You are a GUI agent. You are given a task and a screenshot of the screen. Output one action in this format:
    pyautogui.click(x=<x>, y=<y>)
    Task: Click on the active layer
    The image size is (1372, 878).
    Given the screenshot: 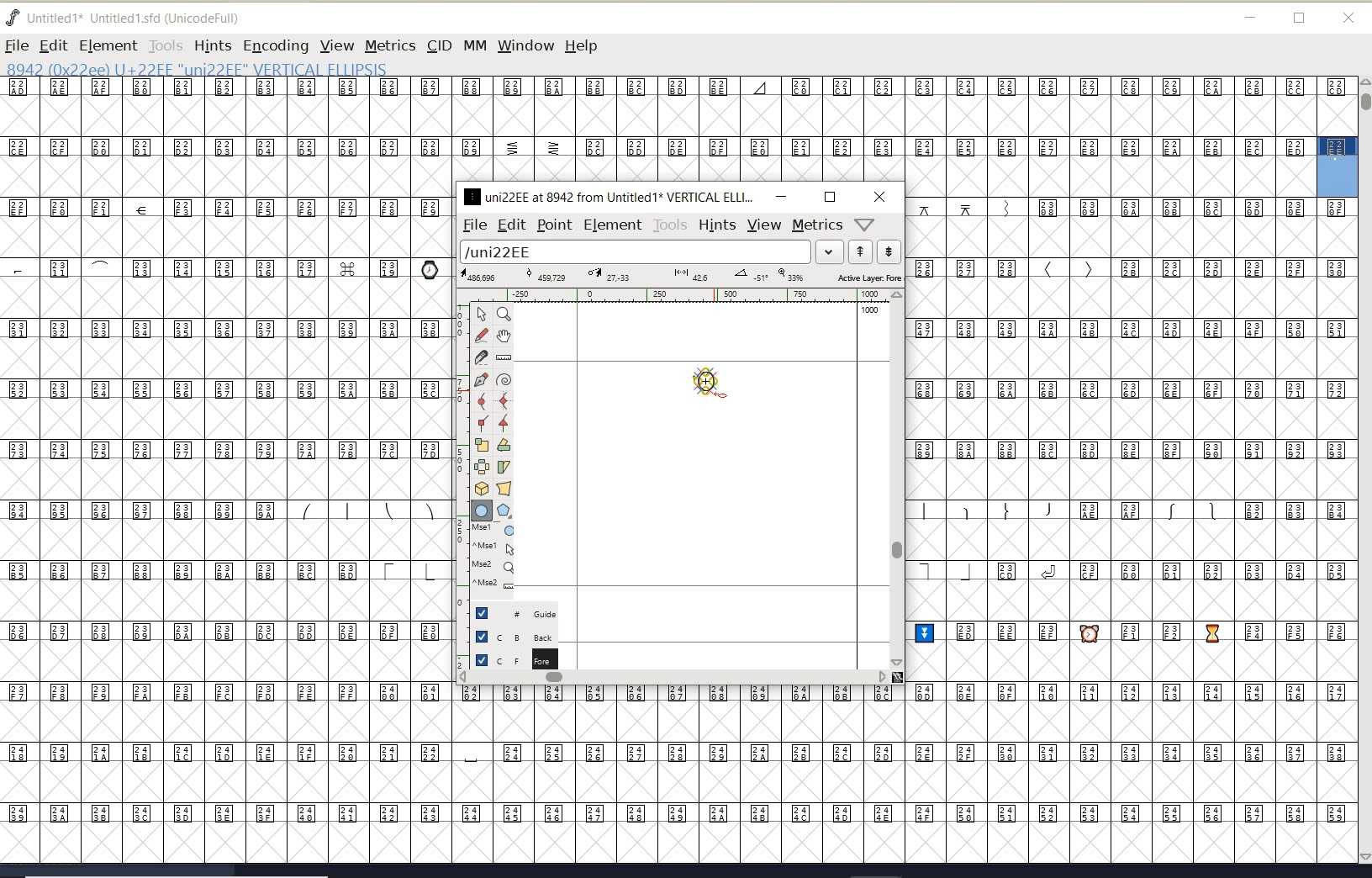 What is the action you would take?
    pyautogui.click(x=682, y=278)
    